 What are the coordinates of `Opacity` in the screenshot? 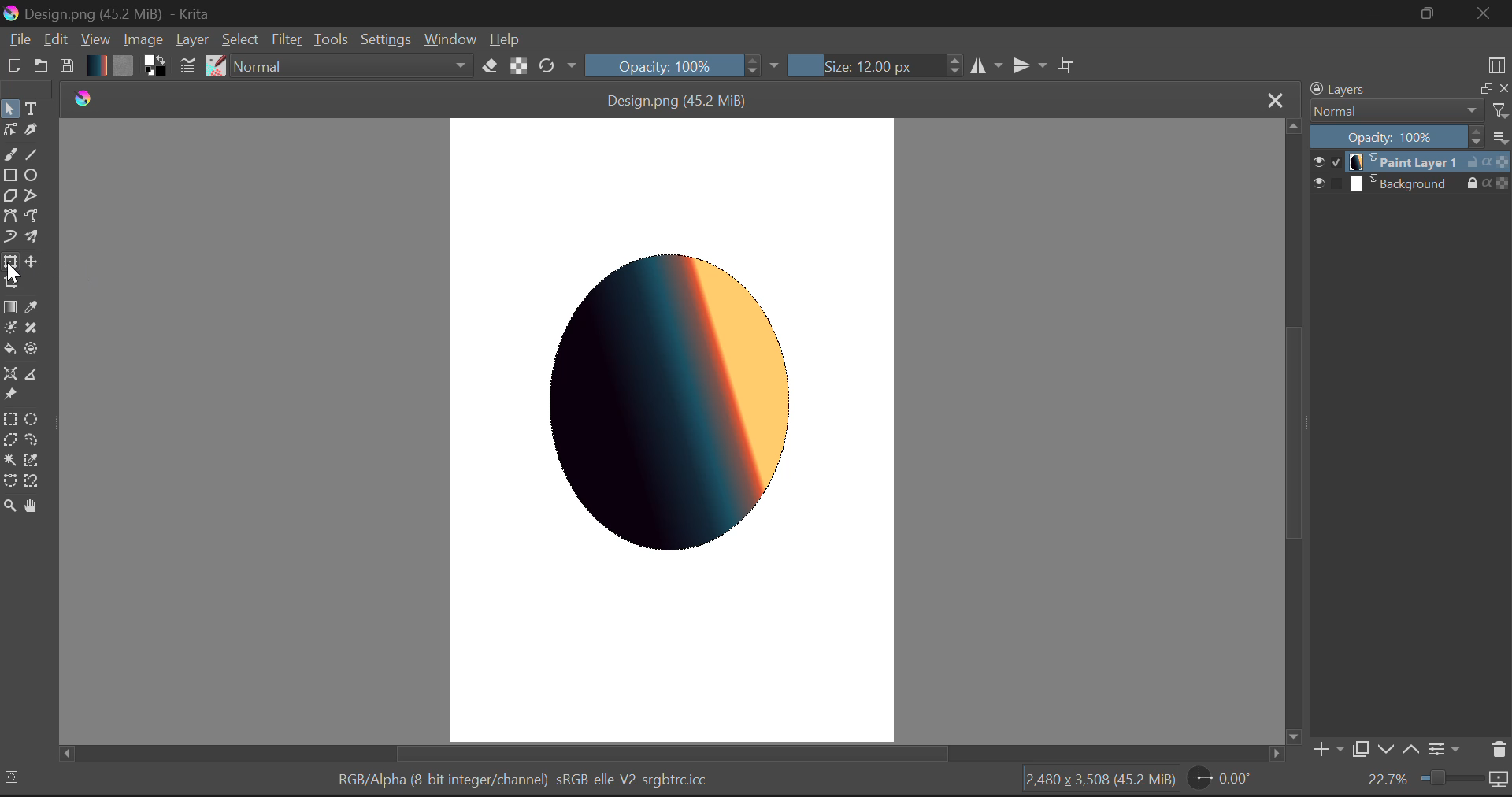 It's located at (1412, 136).